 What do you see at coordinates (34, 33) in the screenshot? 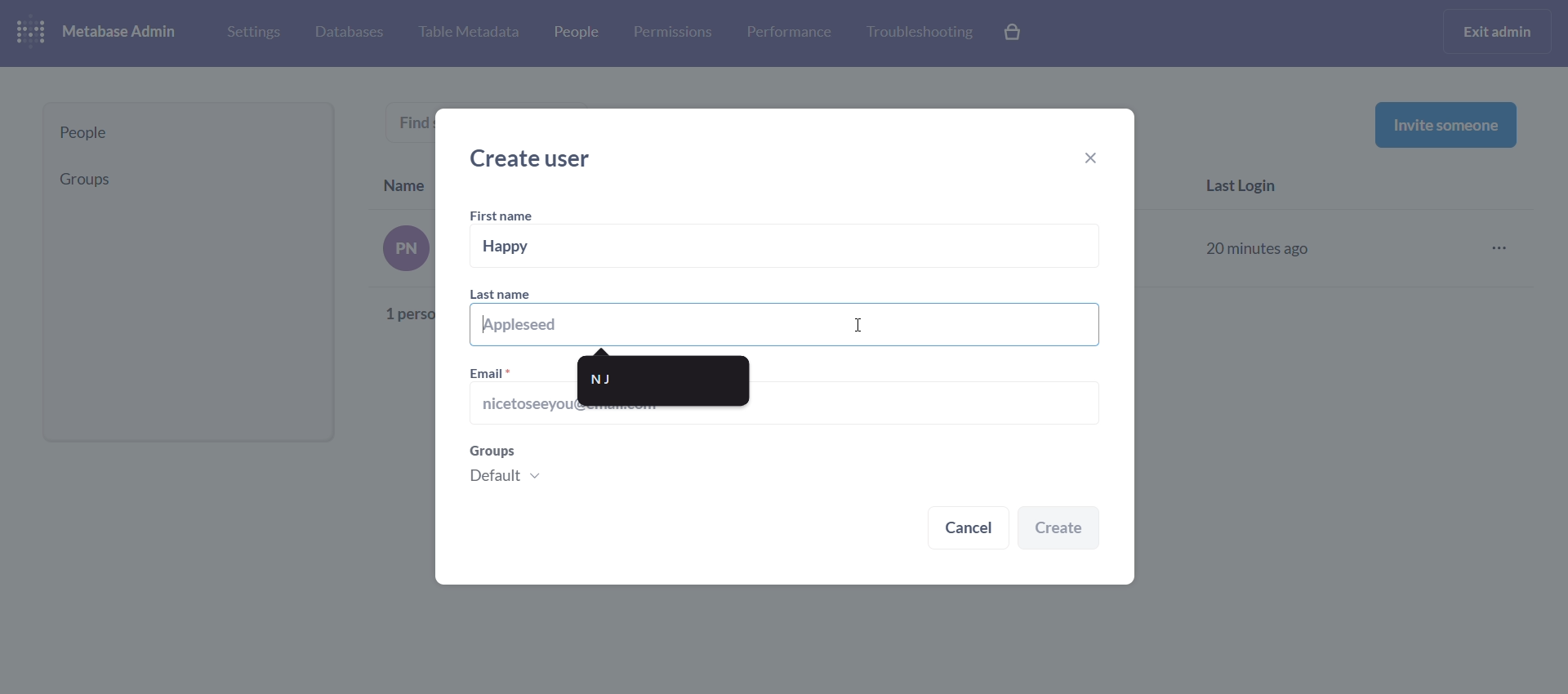
I see `logo` at bounding box center [34, 33].